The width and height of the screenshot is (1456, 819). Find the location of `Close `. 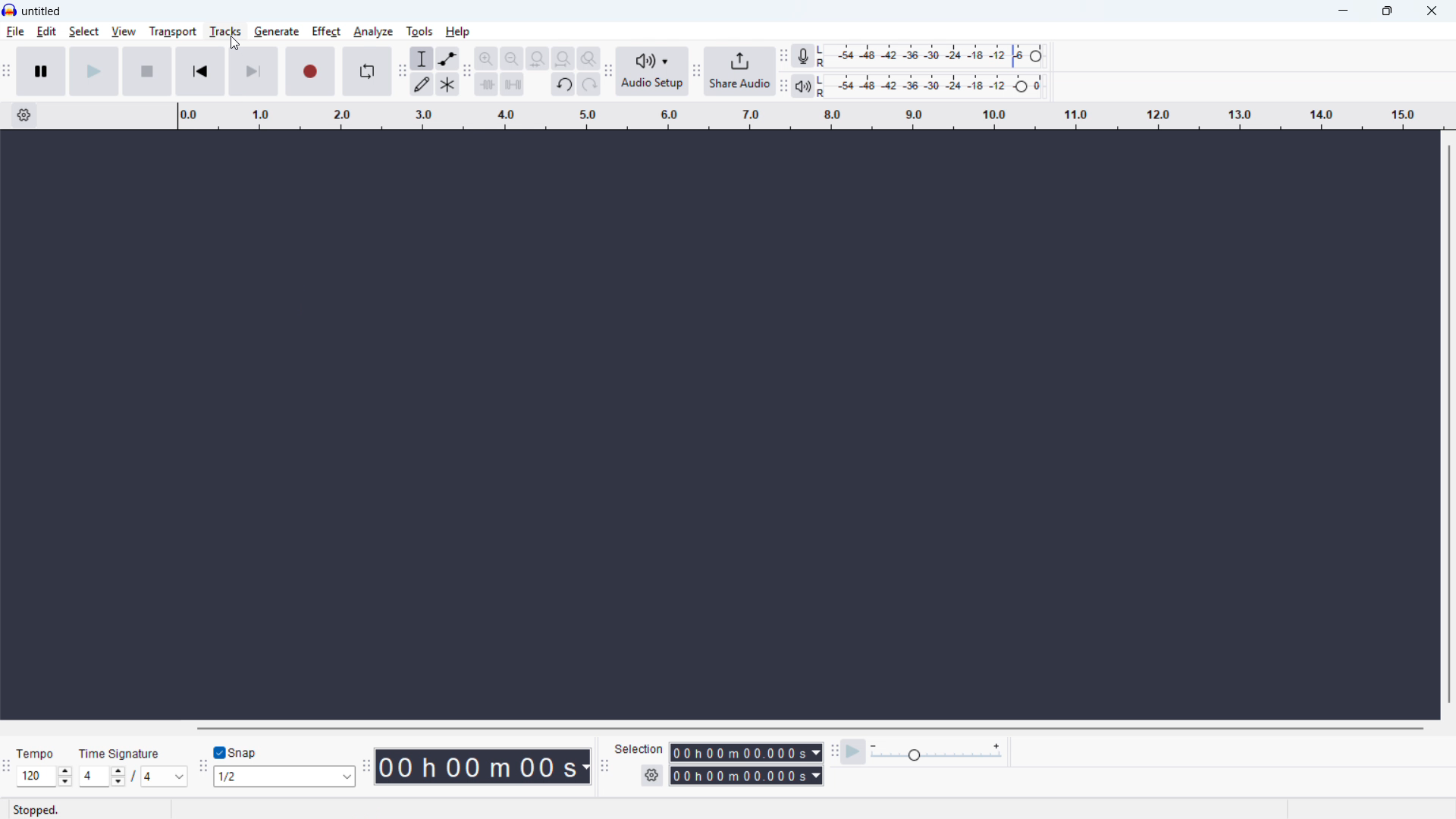

Close  is located at coordinates (1432, 11).